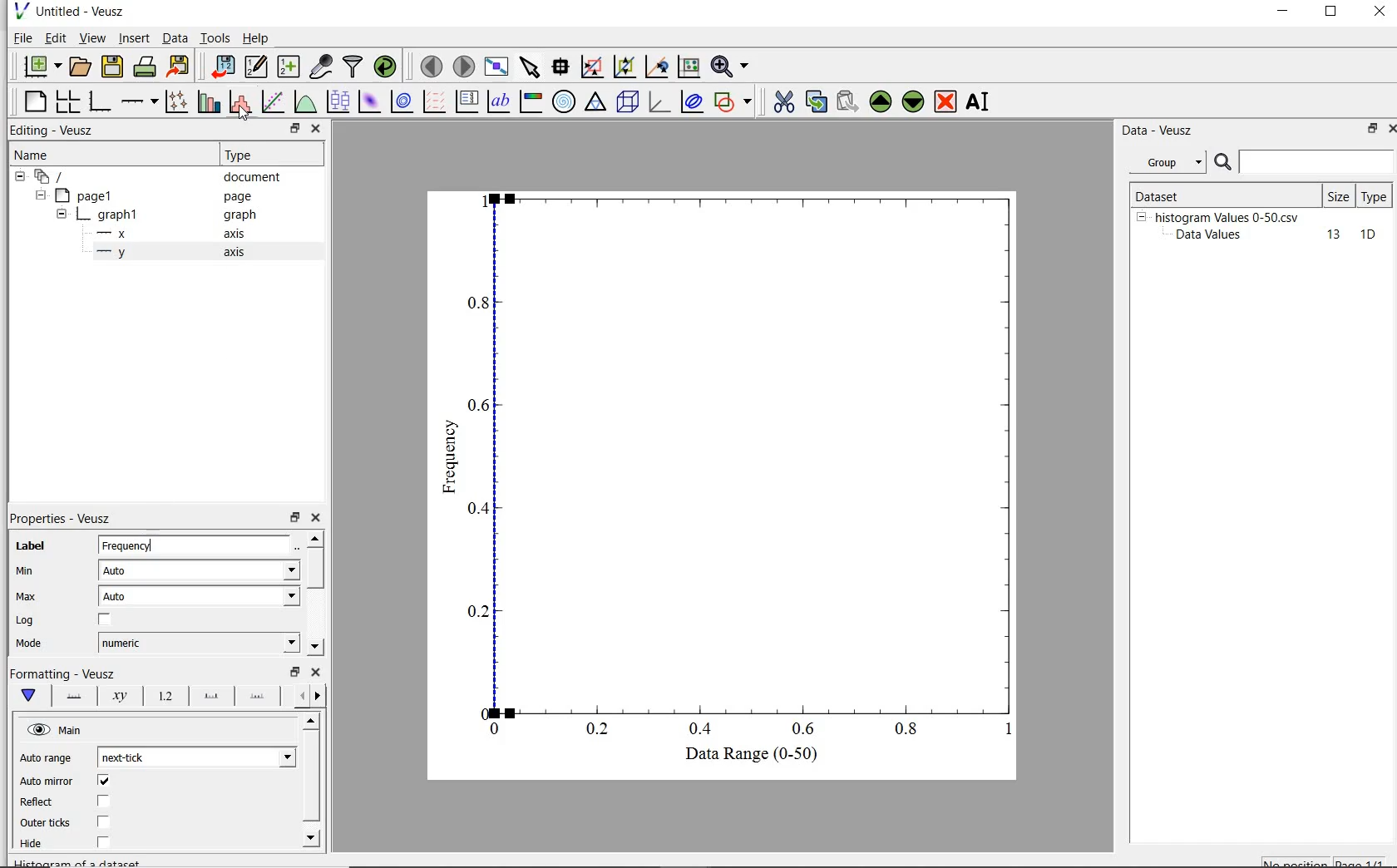 This screenshot has width=1397, height=868. I want to click on select items from the graph scroll, so click(531, 65).